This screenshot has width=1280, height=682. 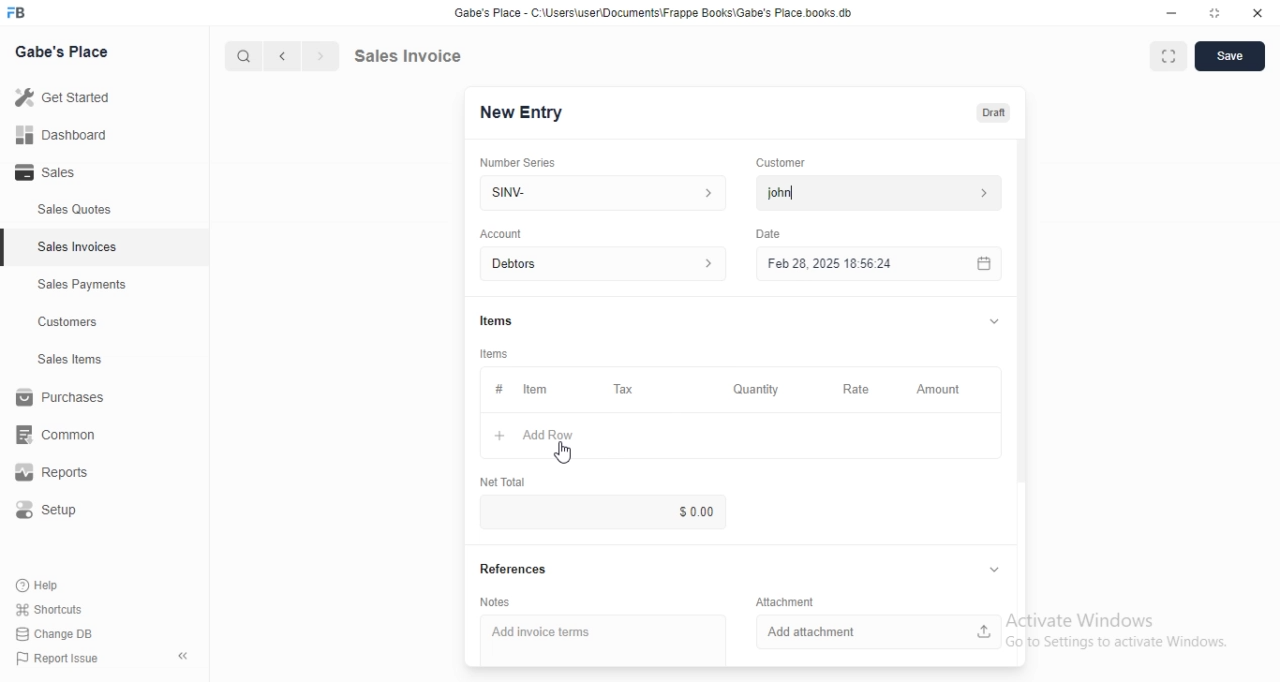 I want to click on ‘Quantity, so click(x=755, y=389).